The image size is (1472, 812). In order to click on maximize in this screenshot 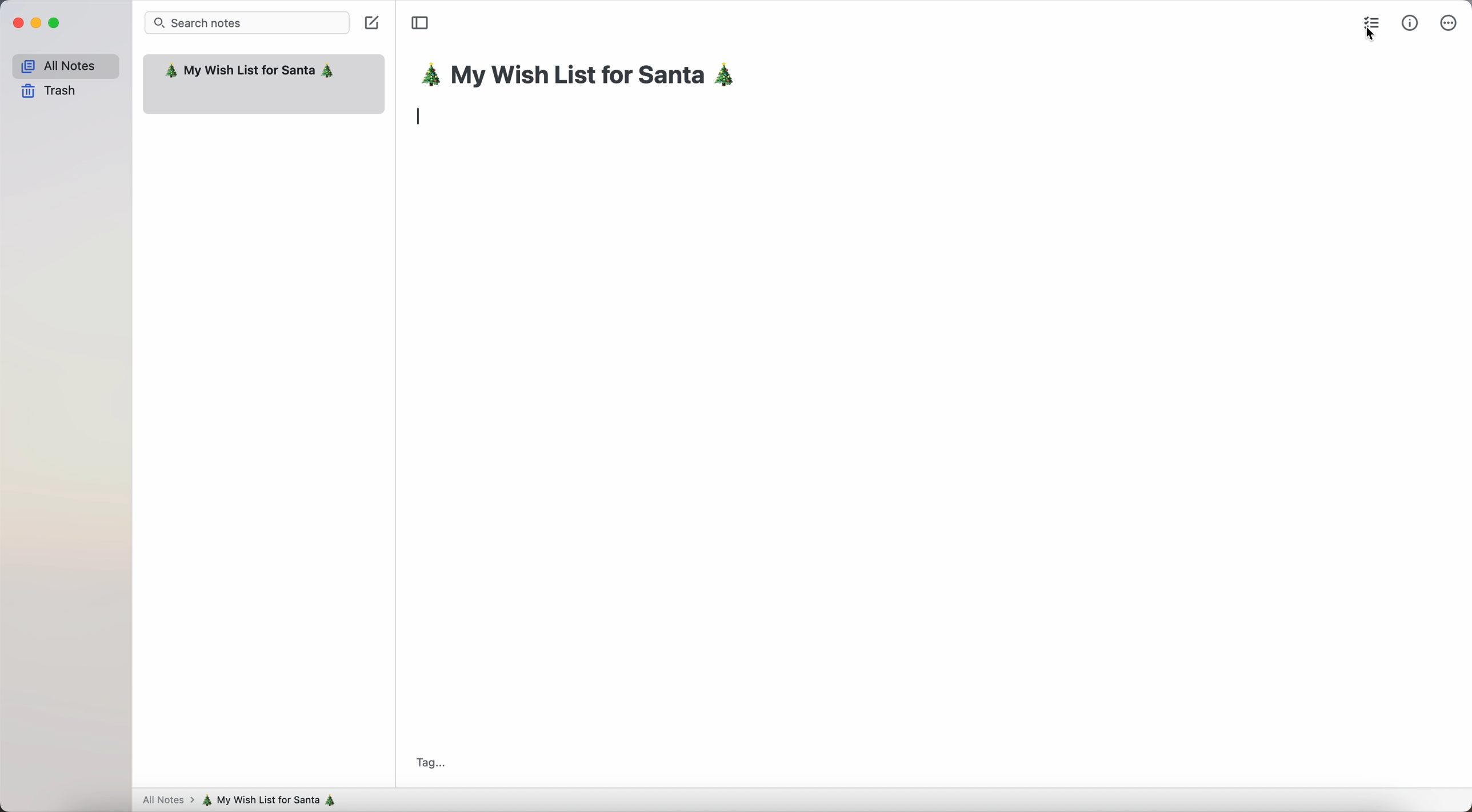, I will do `click(56, 23)`.